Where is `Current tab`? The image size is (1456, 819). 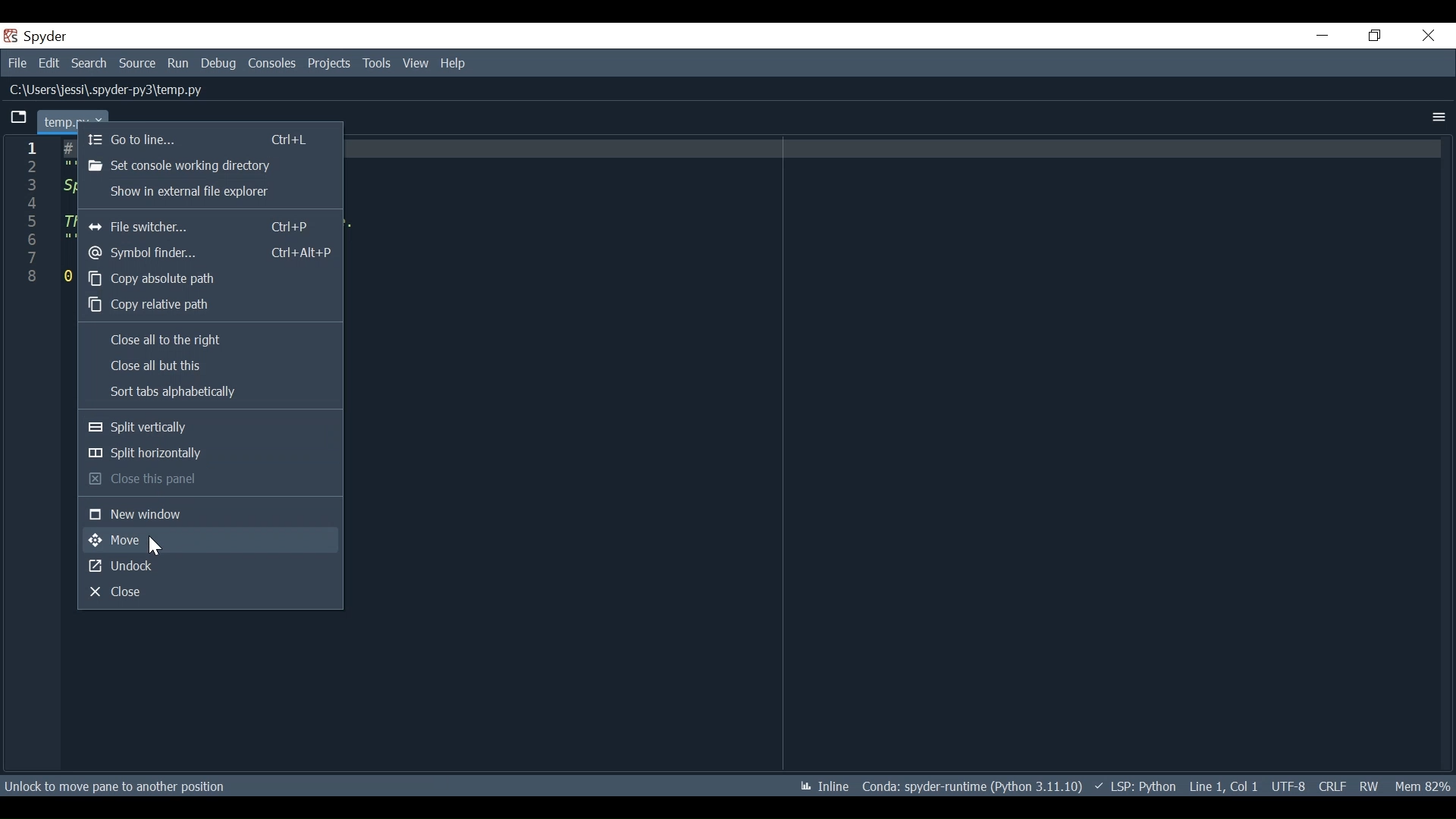
Current tab is located at coordinates (17, 117).